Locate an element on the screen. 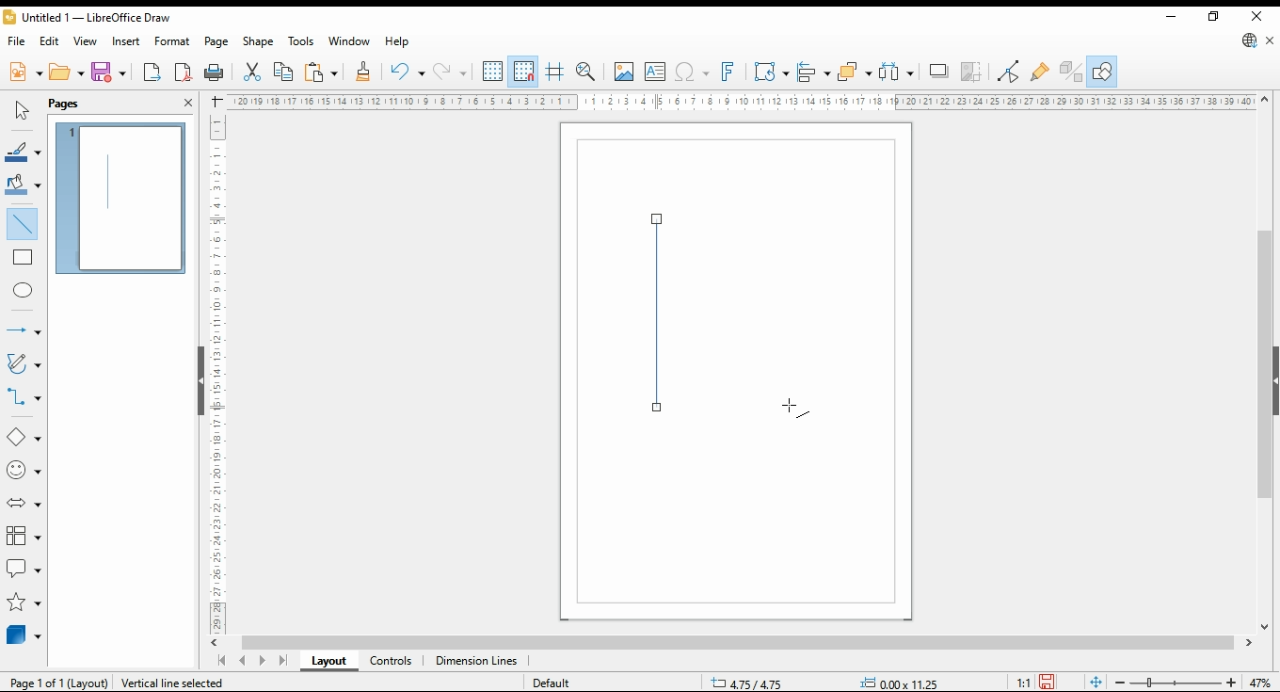  shape is located at coordinates (259, 43).